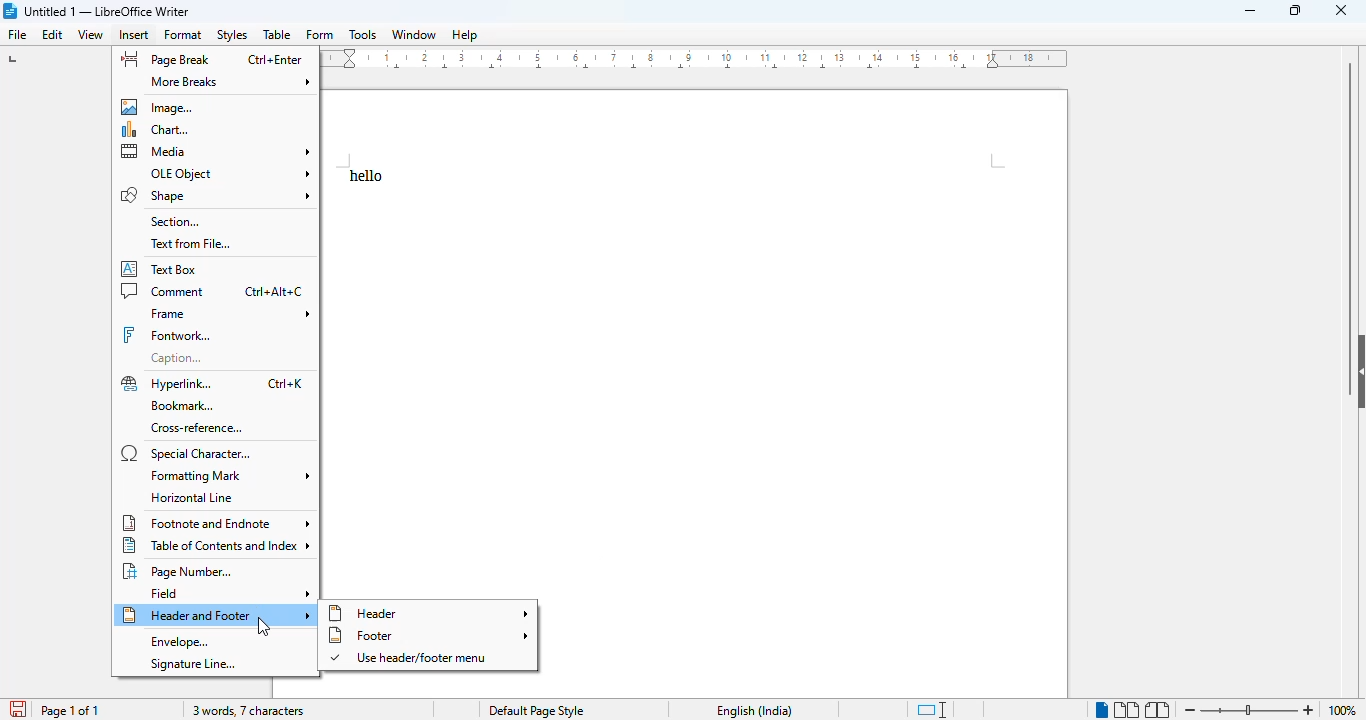 The image size is (1366, 720). Describe the element at coordinates (184, 405) in the screenshot. I see `bookmark` at that location.